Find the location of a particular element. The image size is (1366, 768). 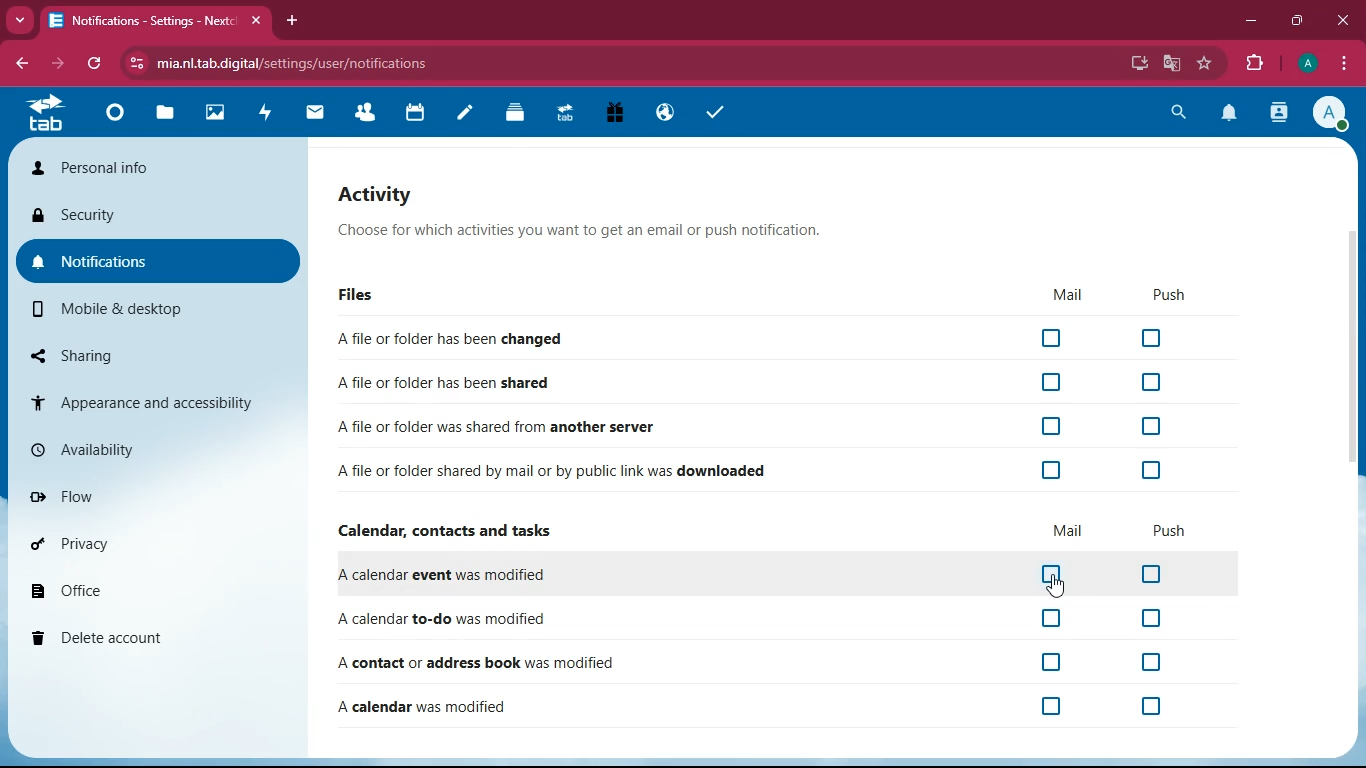

backward is located at coordinates (19, 61).